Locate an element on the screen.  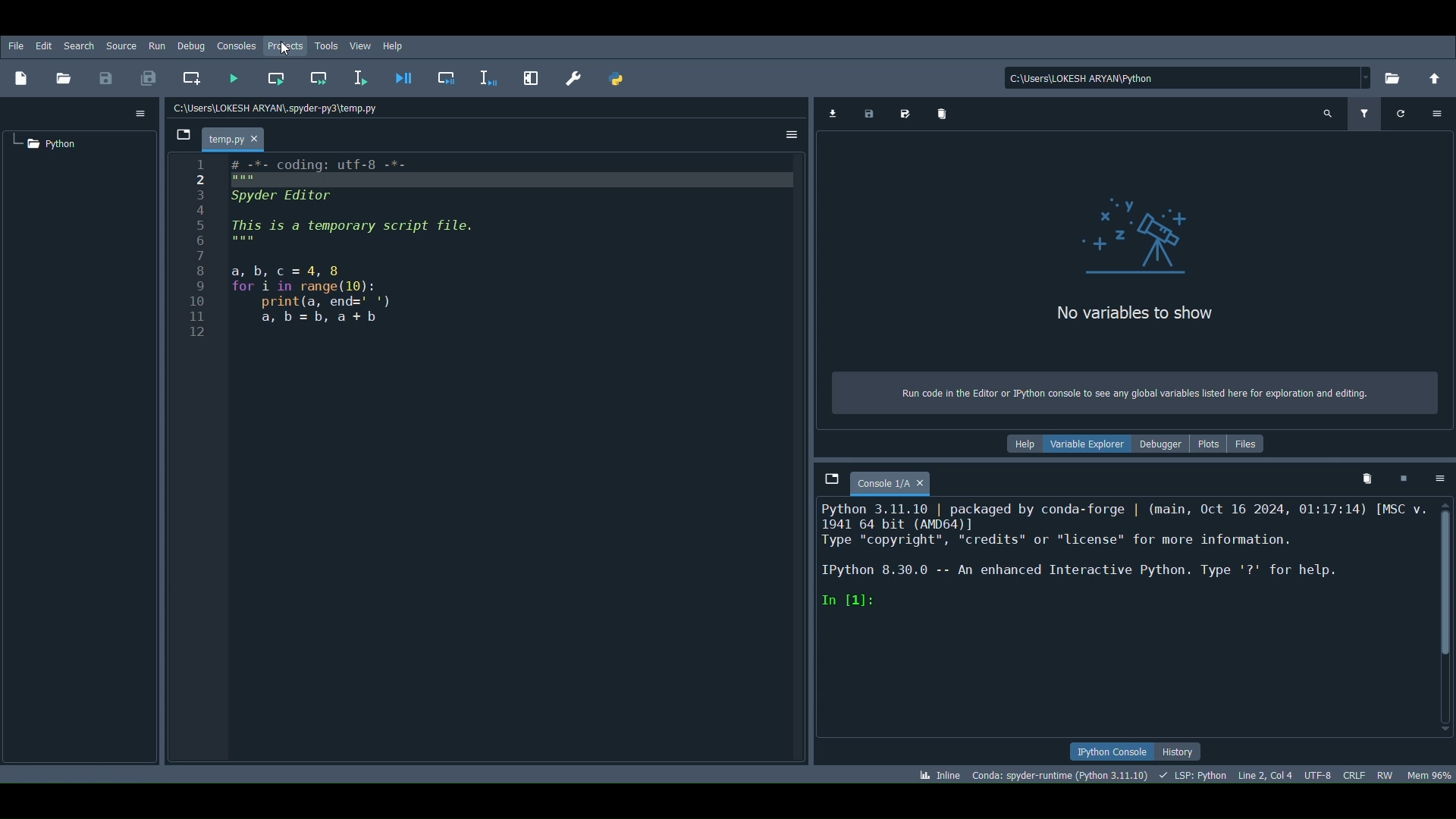
View is located at coordinates (359, 45).